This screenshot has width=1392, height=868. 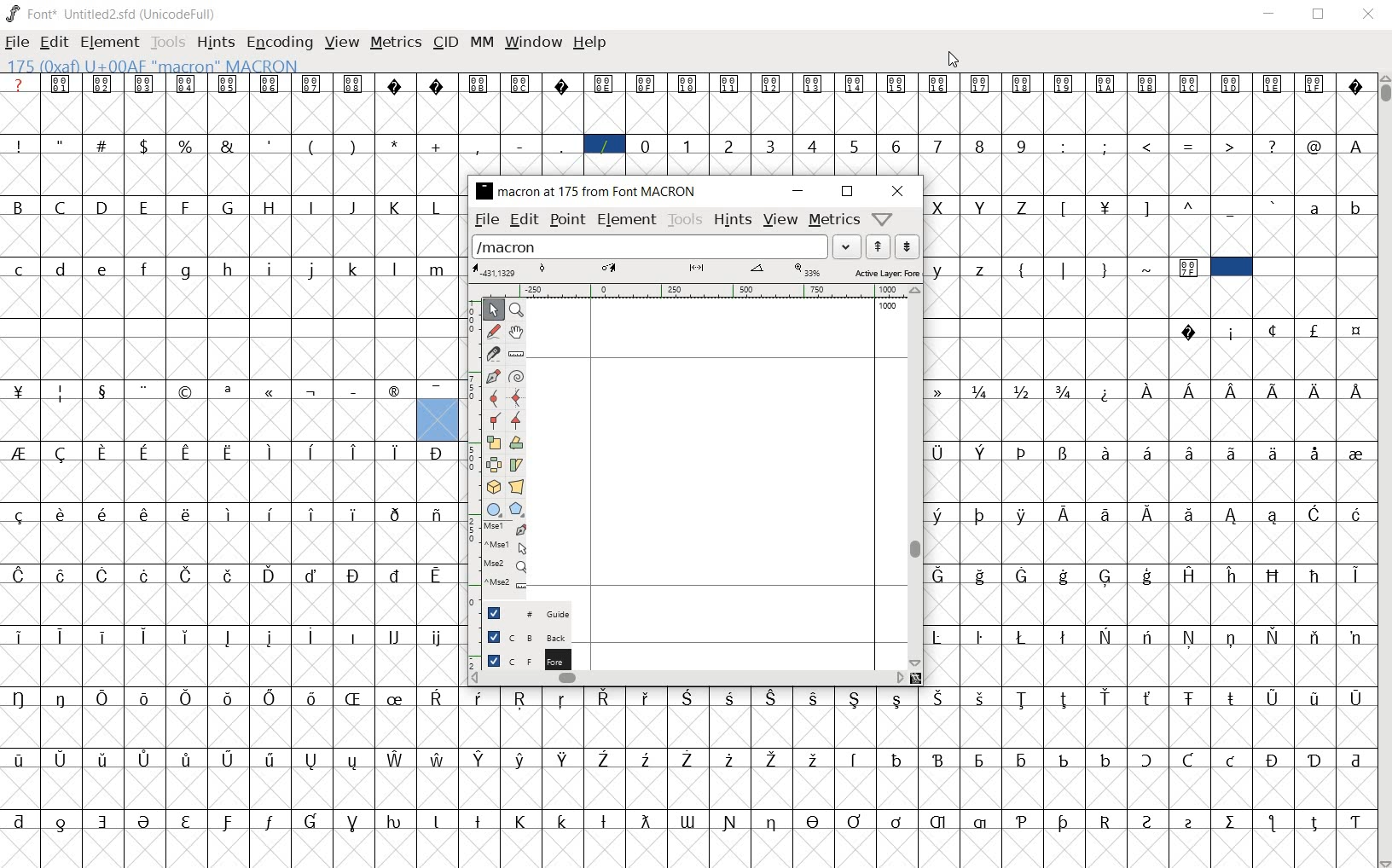 What do you see at coordinates (1322, 17) in the screenshot?
I see `Maximize` at bounding box center [1322, 17].